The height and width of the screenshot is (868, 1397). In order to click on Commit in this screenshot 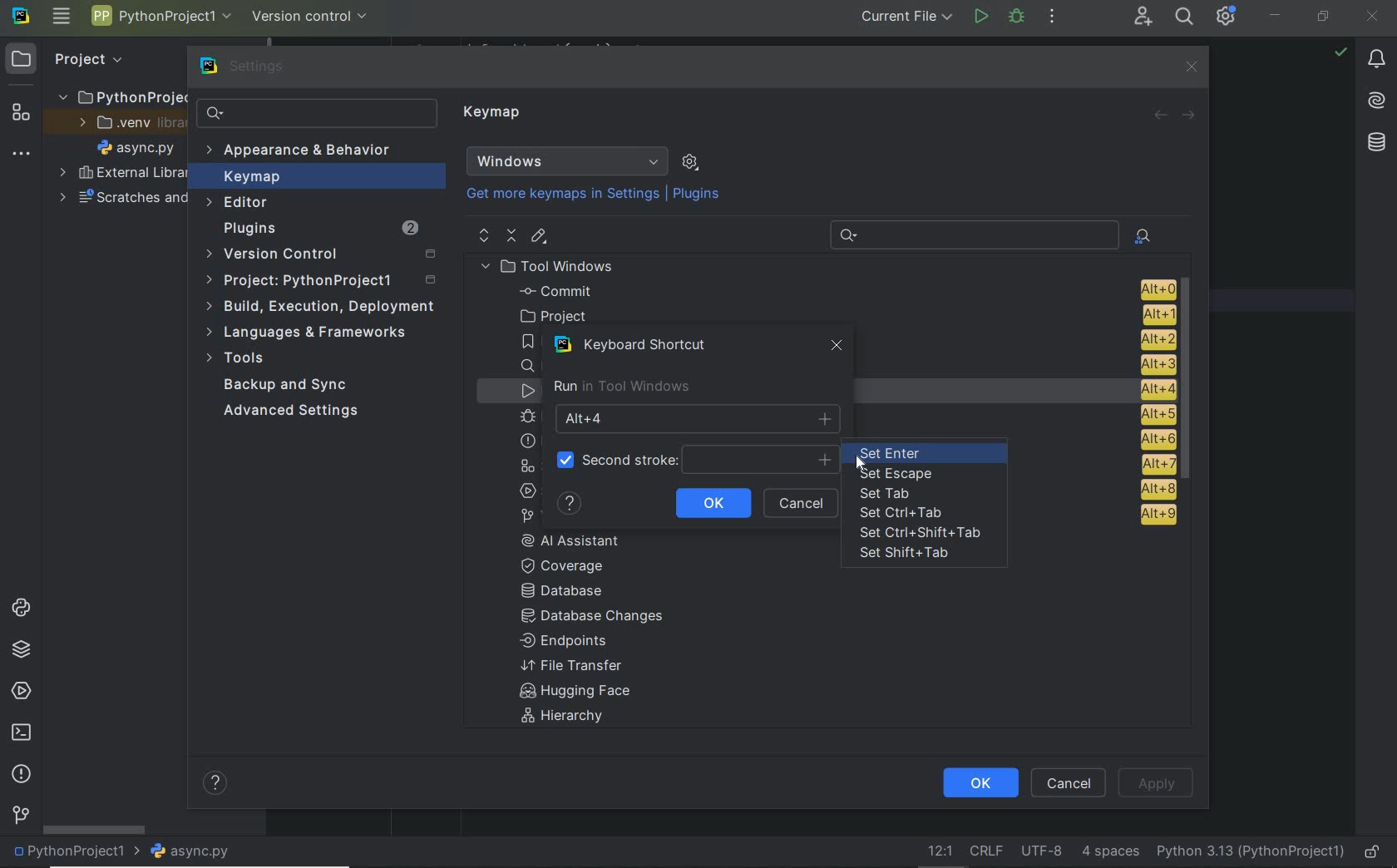, I will do `click(844, 291)`.